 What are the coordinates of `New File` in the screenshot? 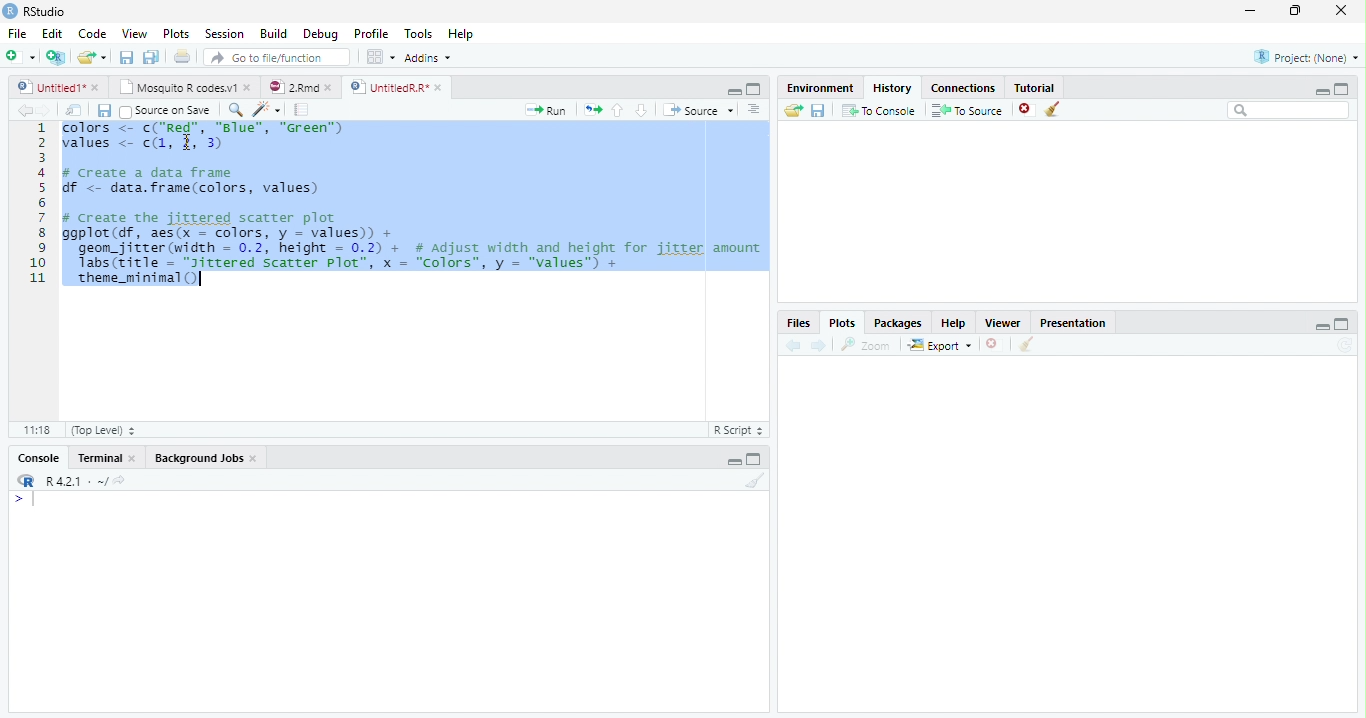 It's located at (21, 57).